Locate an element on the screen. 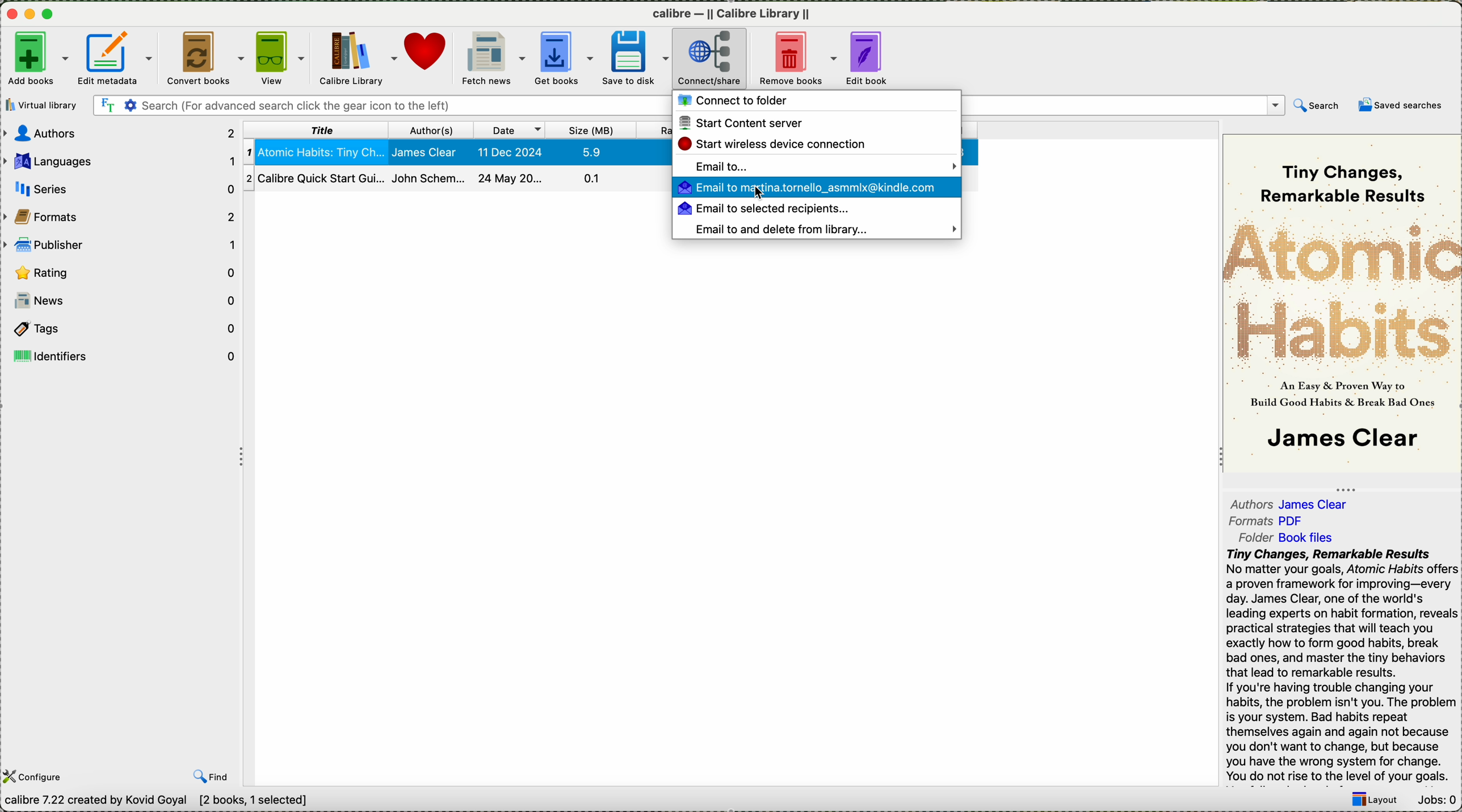 The height and width of the screenshot is (812, 1462). email to selected recipients is located at coordinates (768, 209).